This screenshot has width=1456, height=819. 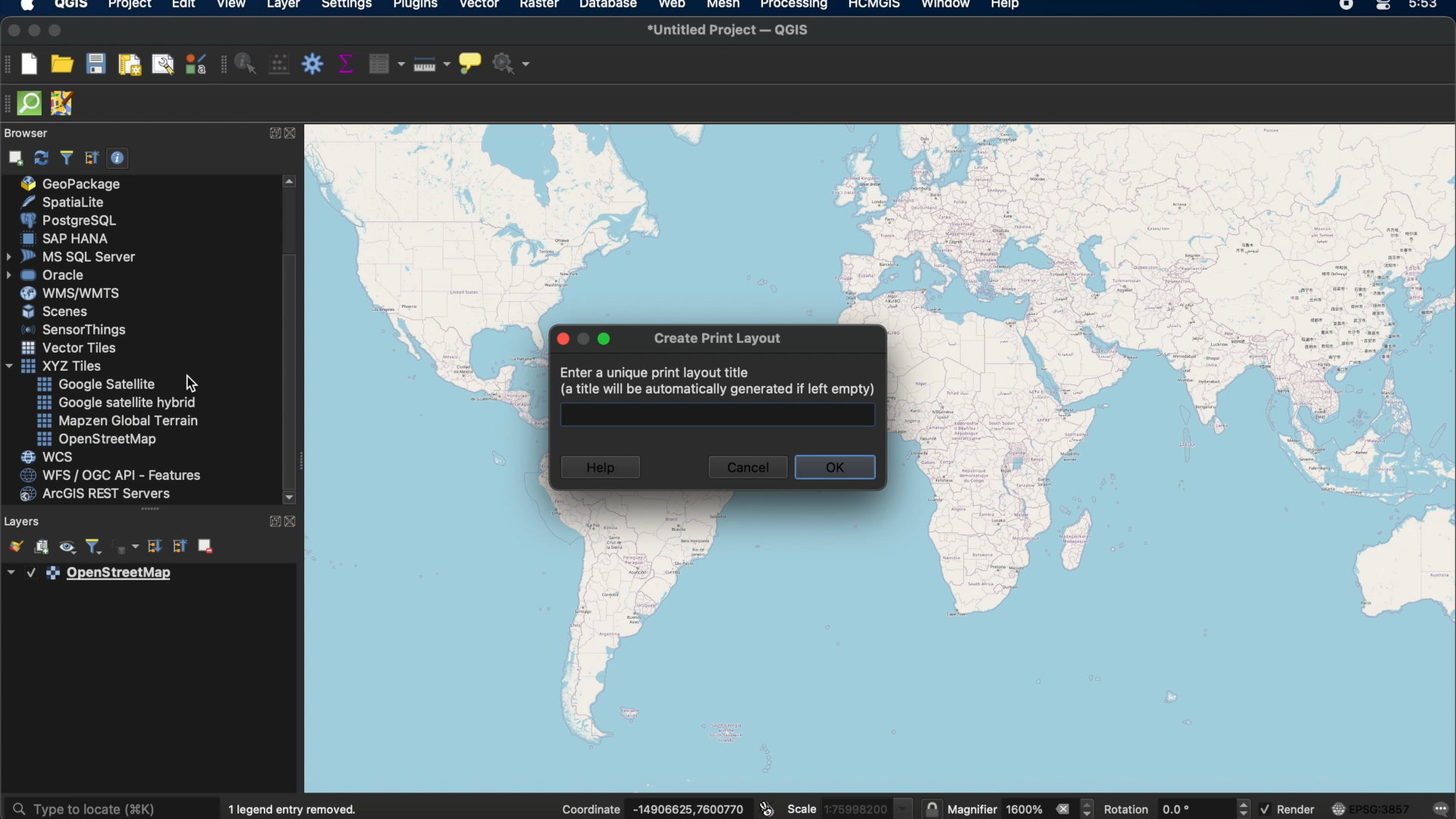 I want to click on vector tiles, so click(x=67, y=348).